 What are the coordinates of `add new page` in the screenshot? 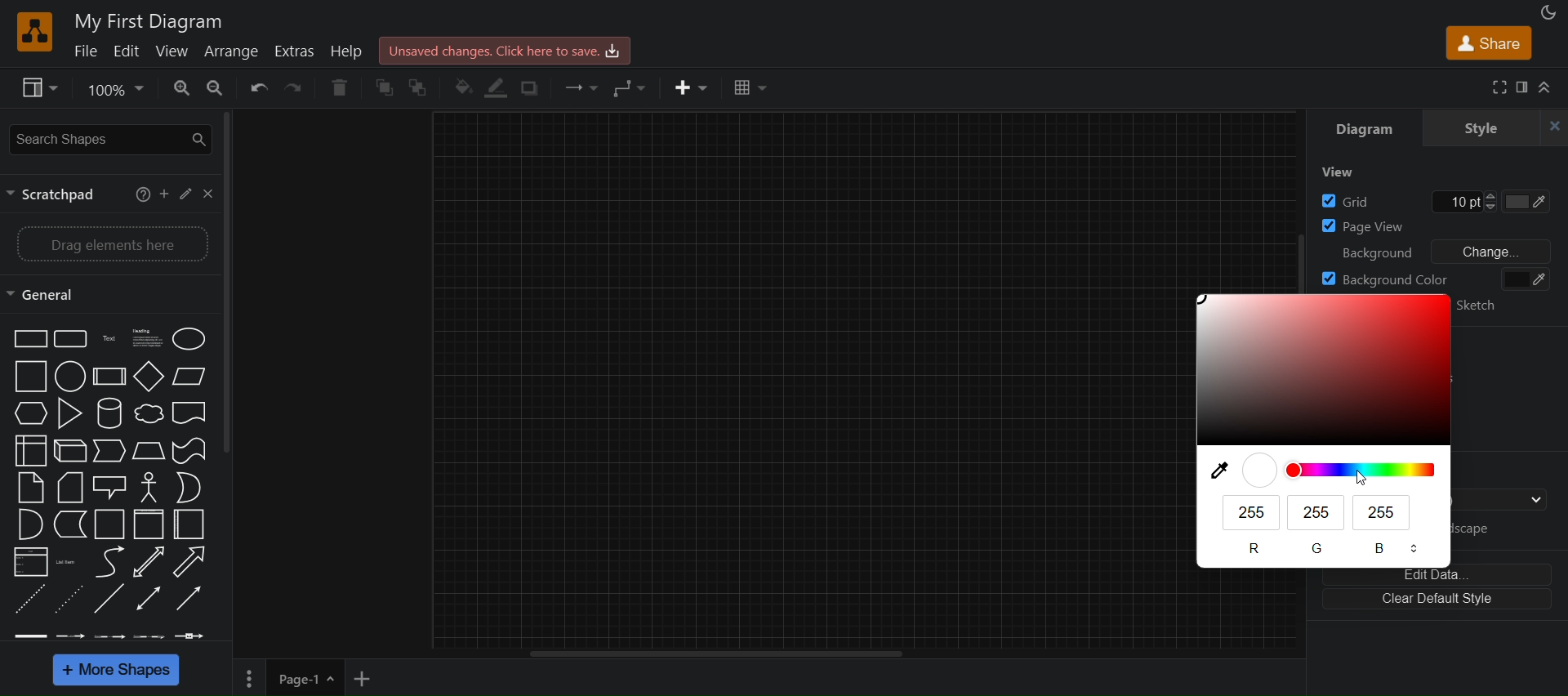 It's located at (367, 680).